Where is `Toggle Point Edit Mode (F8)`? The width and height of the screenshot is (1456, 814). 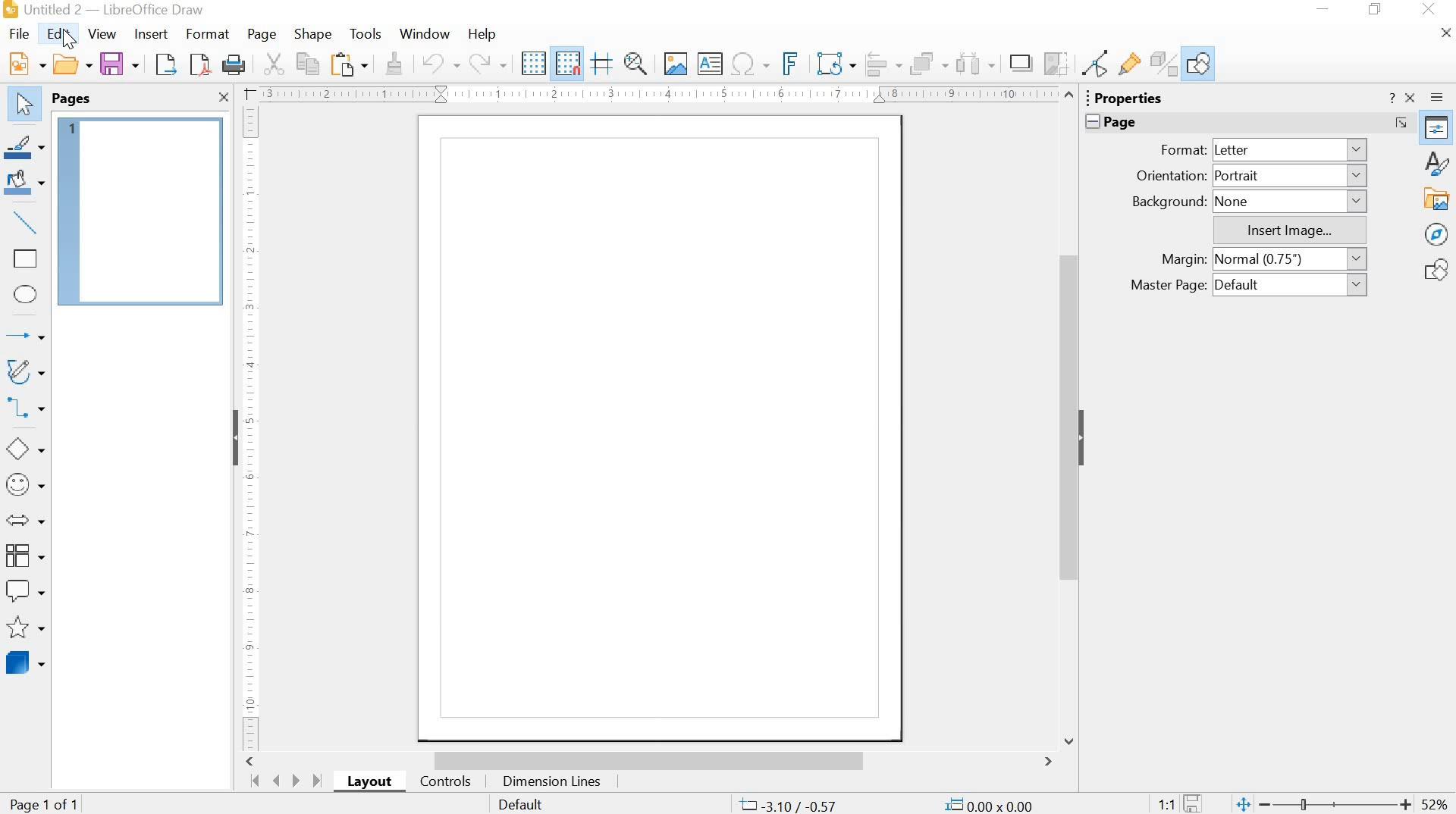
Toggle Point Edit Mode (F8) is located at coordinates (1097, 63).